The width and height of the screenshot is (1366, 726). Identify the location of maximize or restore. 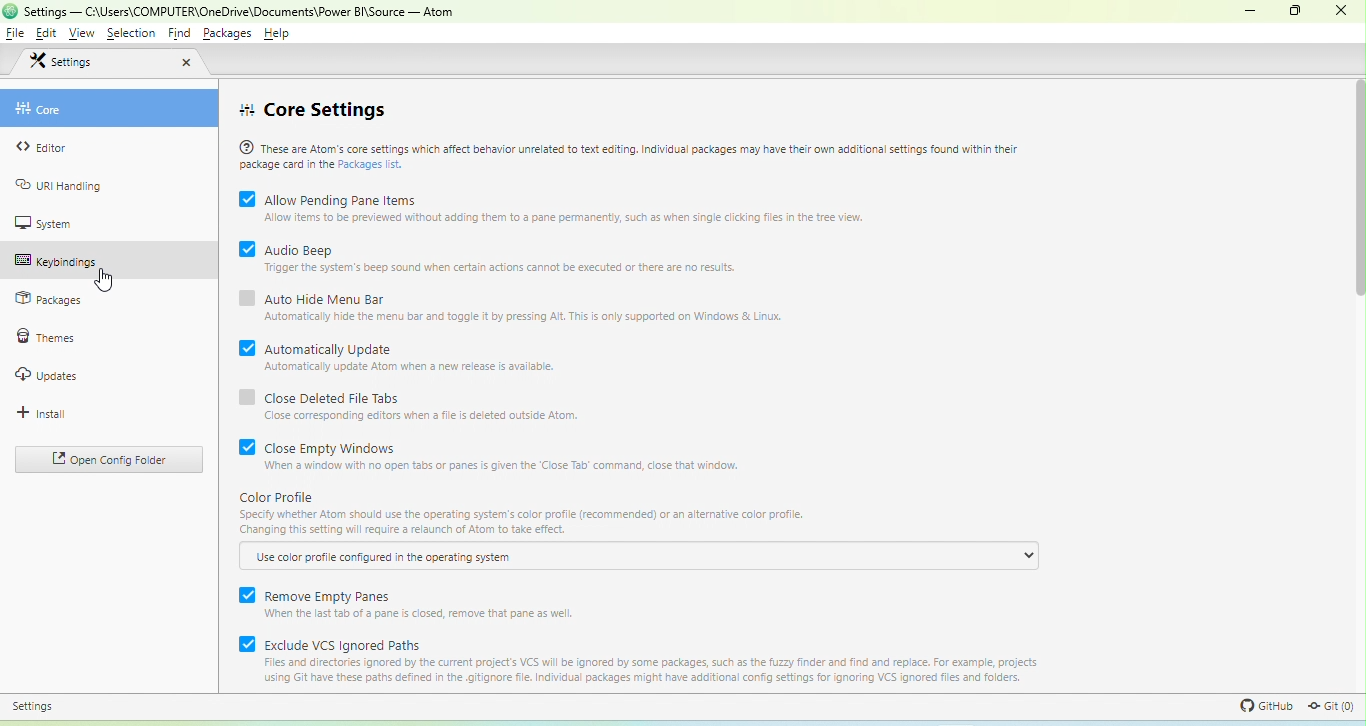
(1294, 12).